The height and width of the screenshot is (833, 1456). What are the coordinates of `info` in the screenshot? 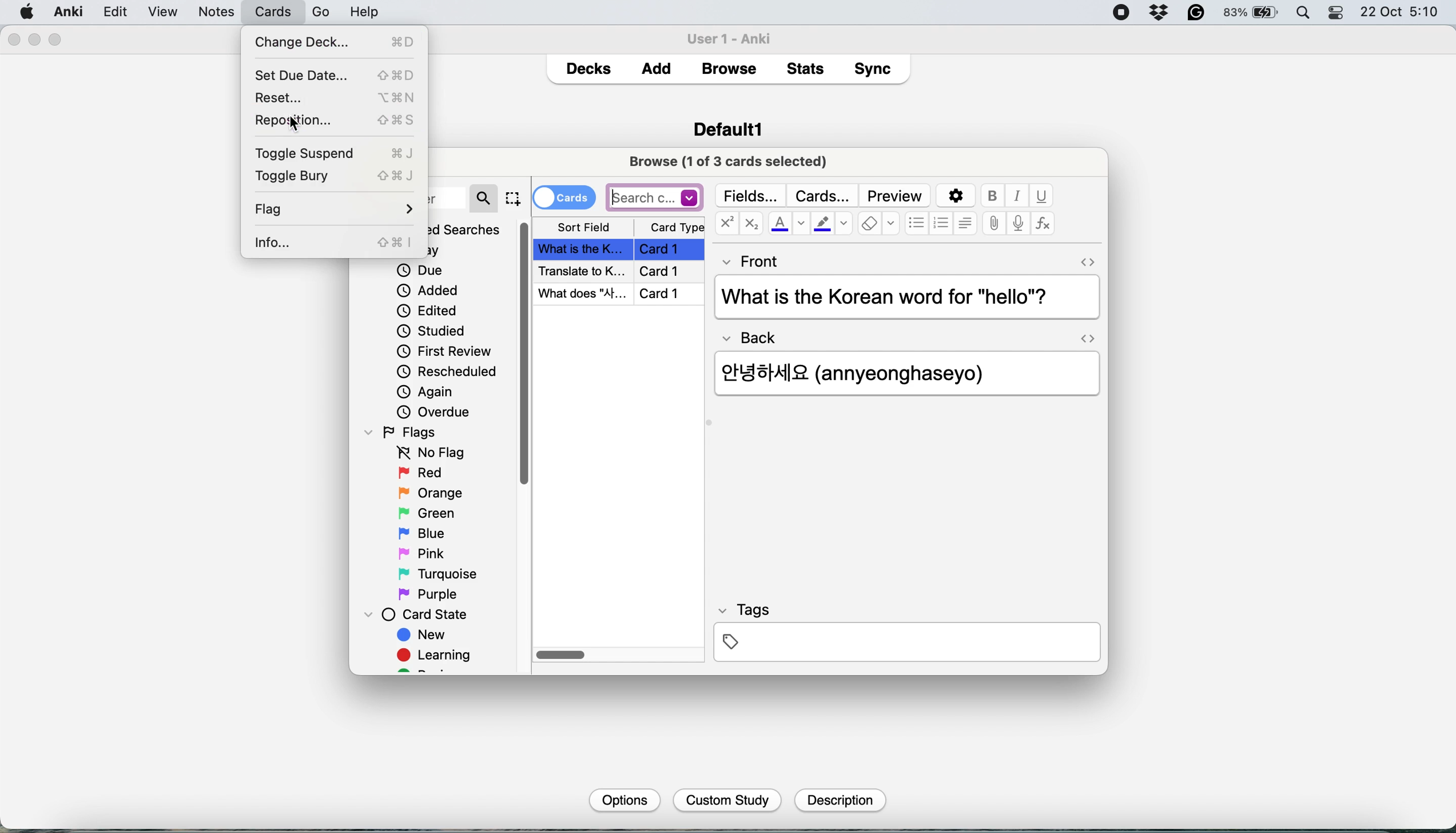 It's located at (332, 244).